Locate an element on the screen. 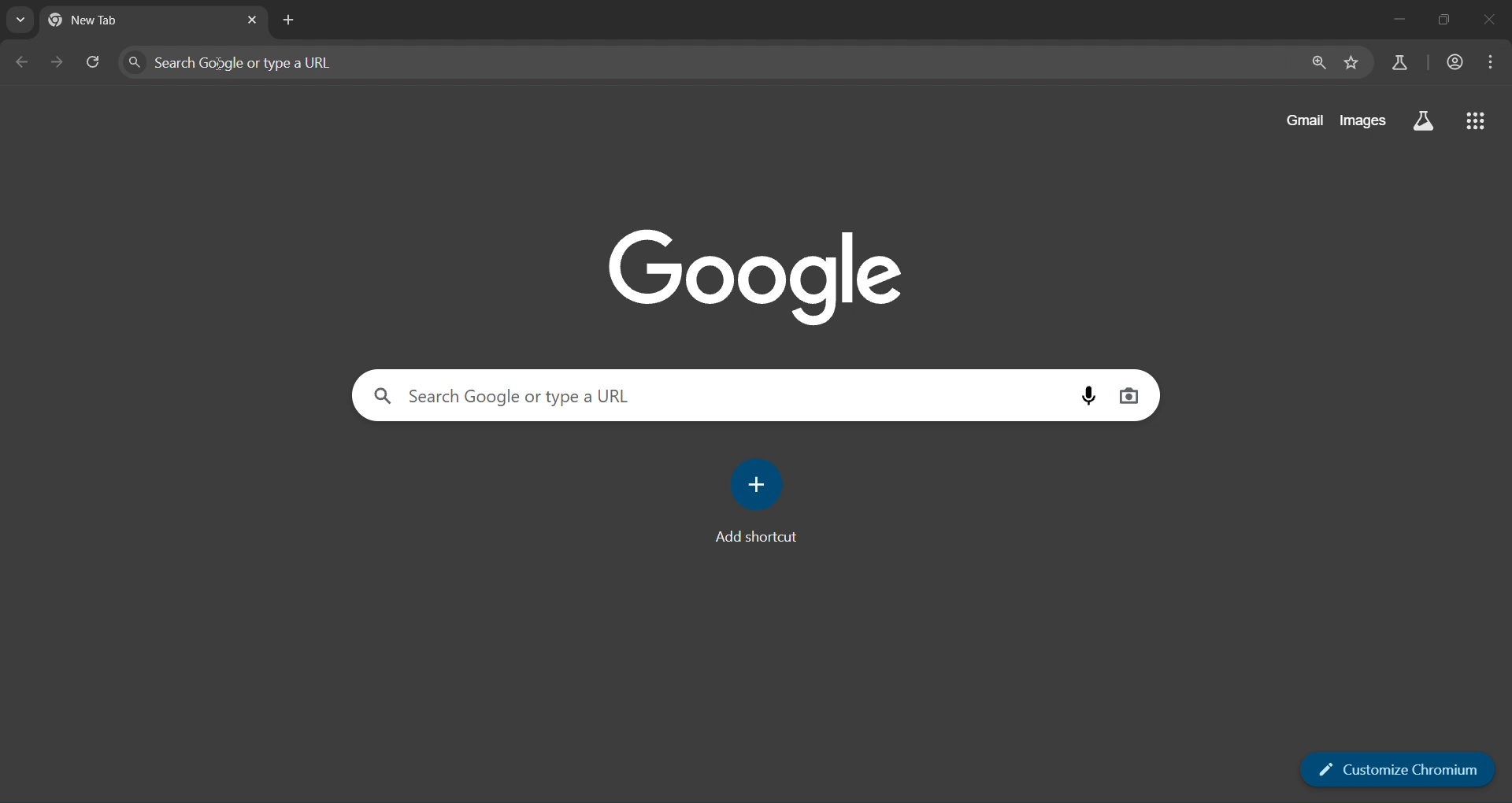  gmail is located at coordinates (1303, 120).